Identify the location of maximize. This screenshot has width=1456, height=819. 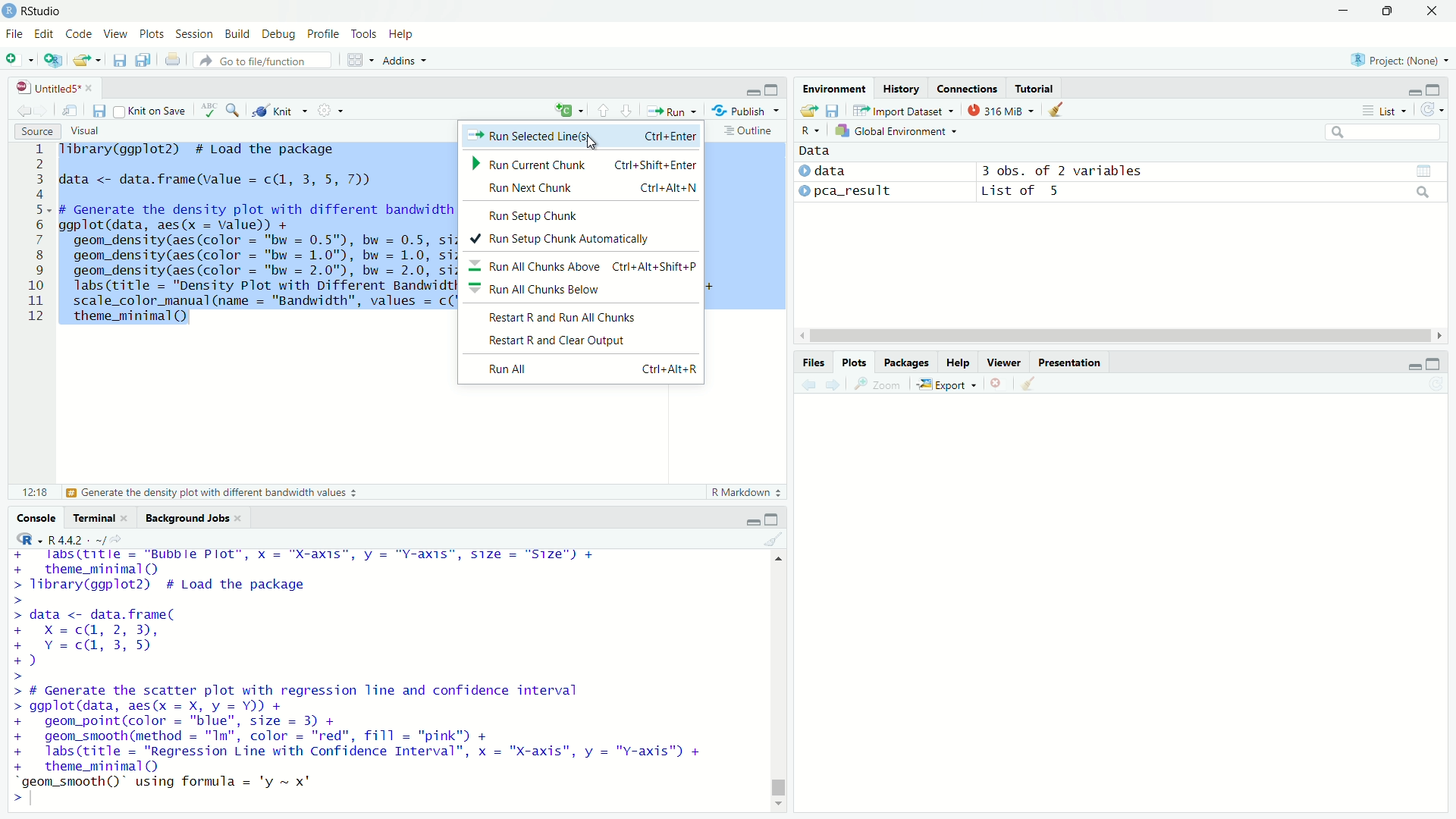
(773, 89).